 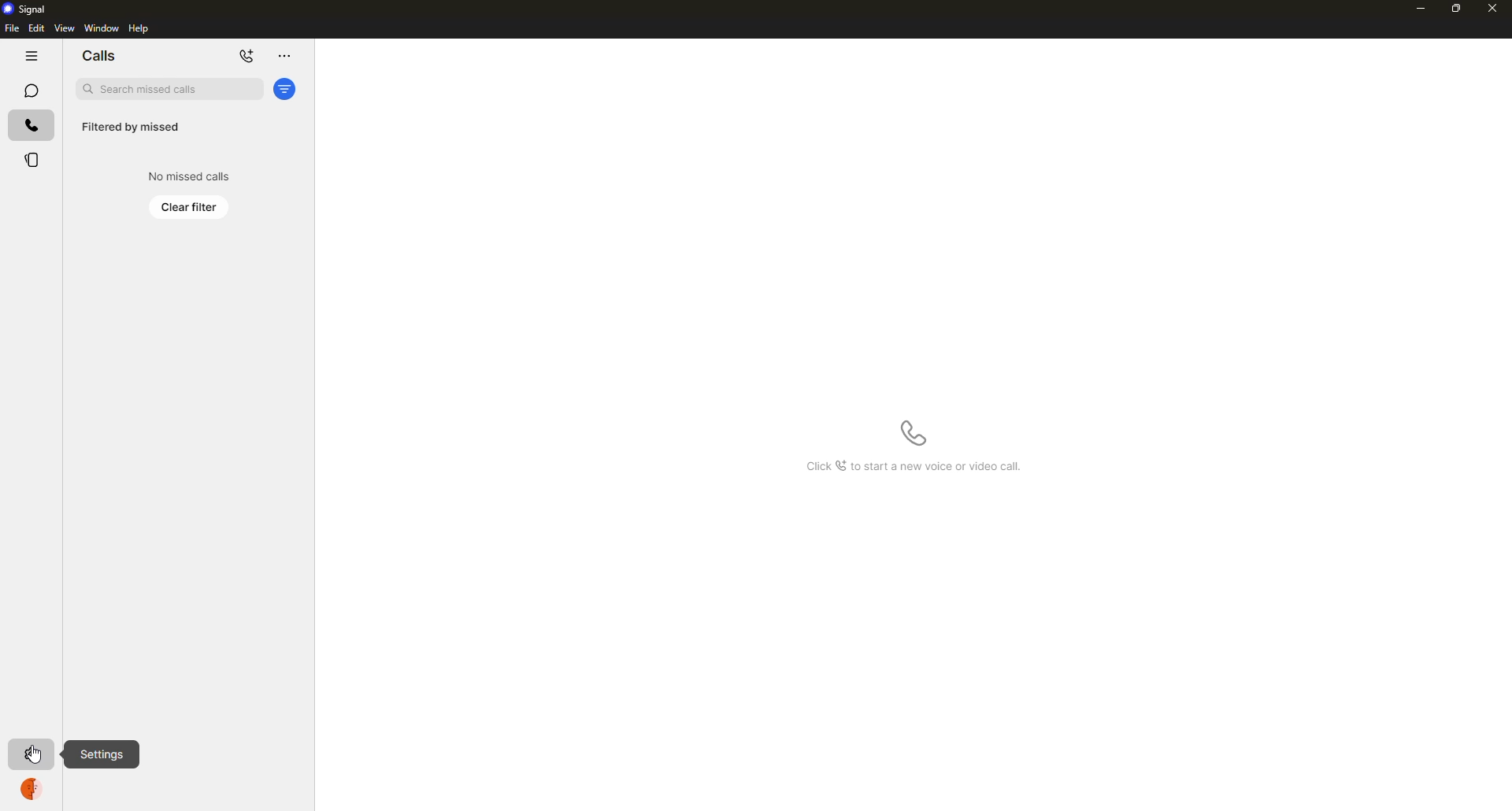 What do you see at coordinates (129, 128) in the screenshot?
I see `filter by missed` at bounding box center [129, 128].